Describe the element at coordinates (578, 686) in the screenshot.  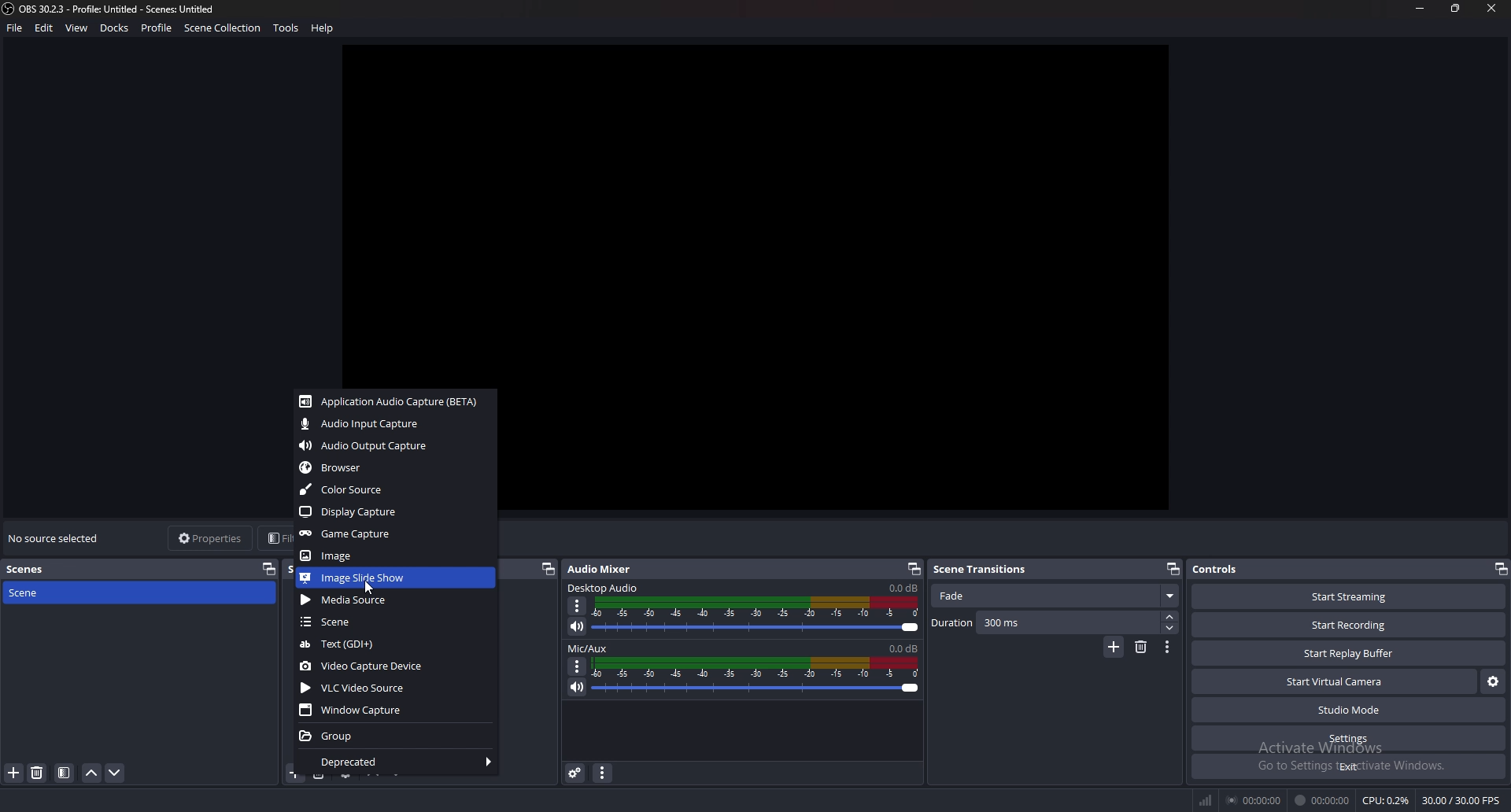
I see `mute` at that location.